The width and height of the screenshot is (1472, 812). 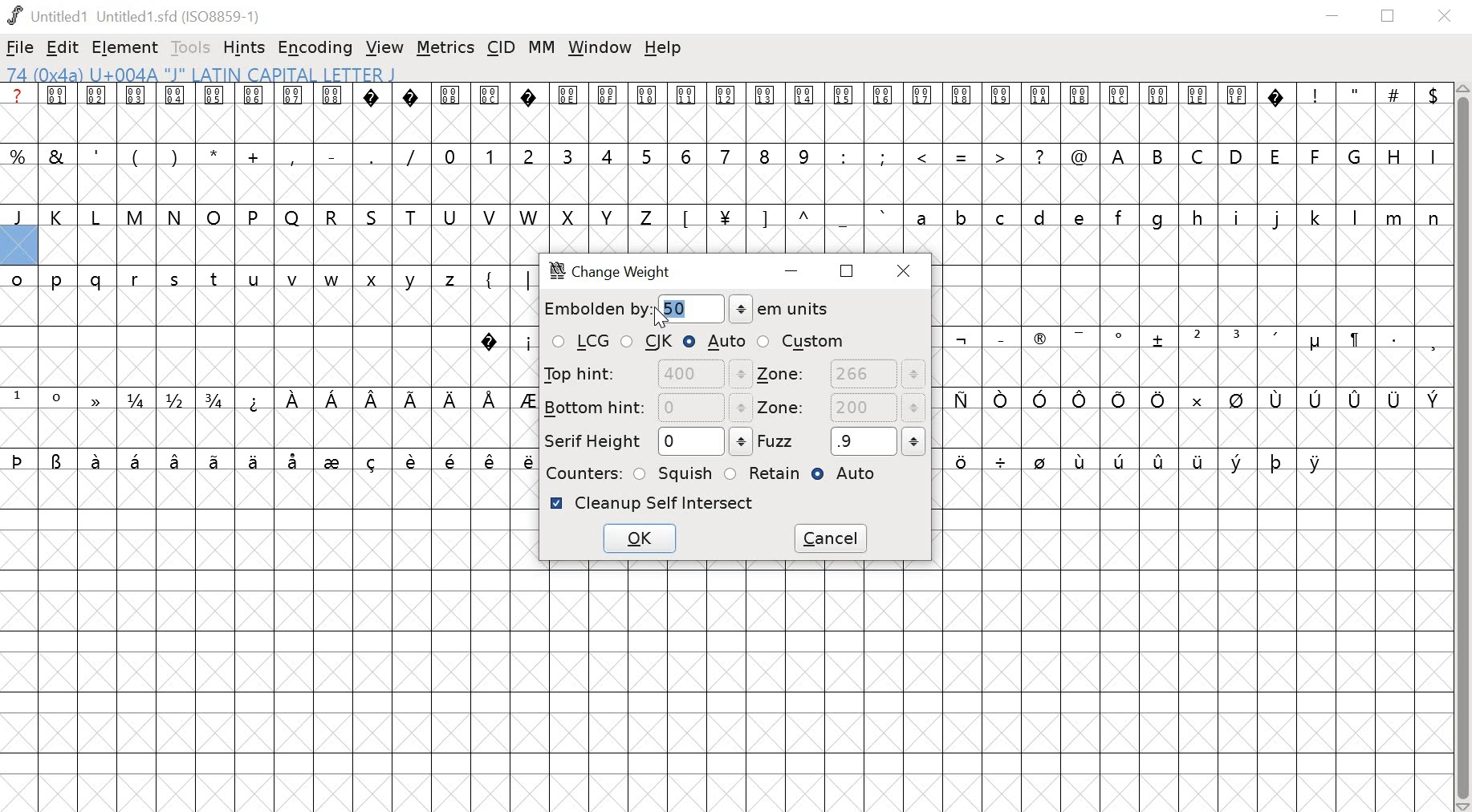 What do you see at coordinates (600, 48) in the screenshot?
I see `window` at bounding box center [600, 48].